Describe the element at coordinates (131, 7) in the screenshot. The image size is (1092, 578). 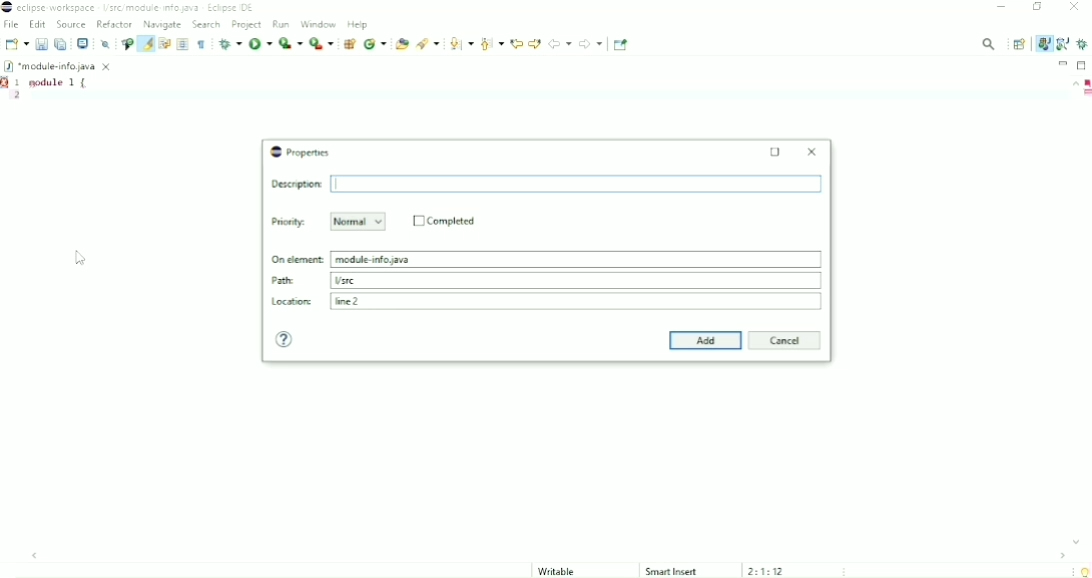
I see `eclipse workspace /src/module.info.java Eclipse IDE` at that location.